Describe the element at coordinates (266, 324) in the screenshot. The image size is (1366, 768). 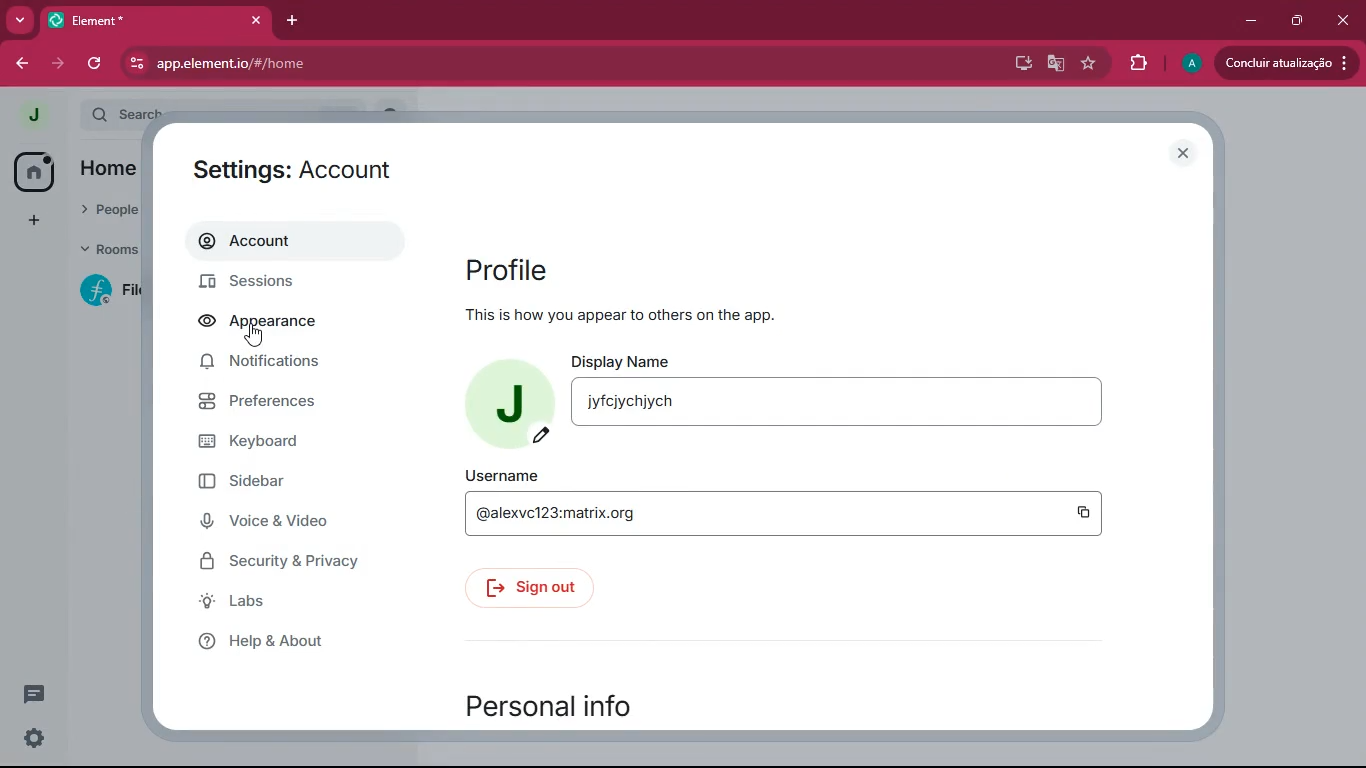
I see `appearance` at that location.